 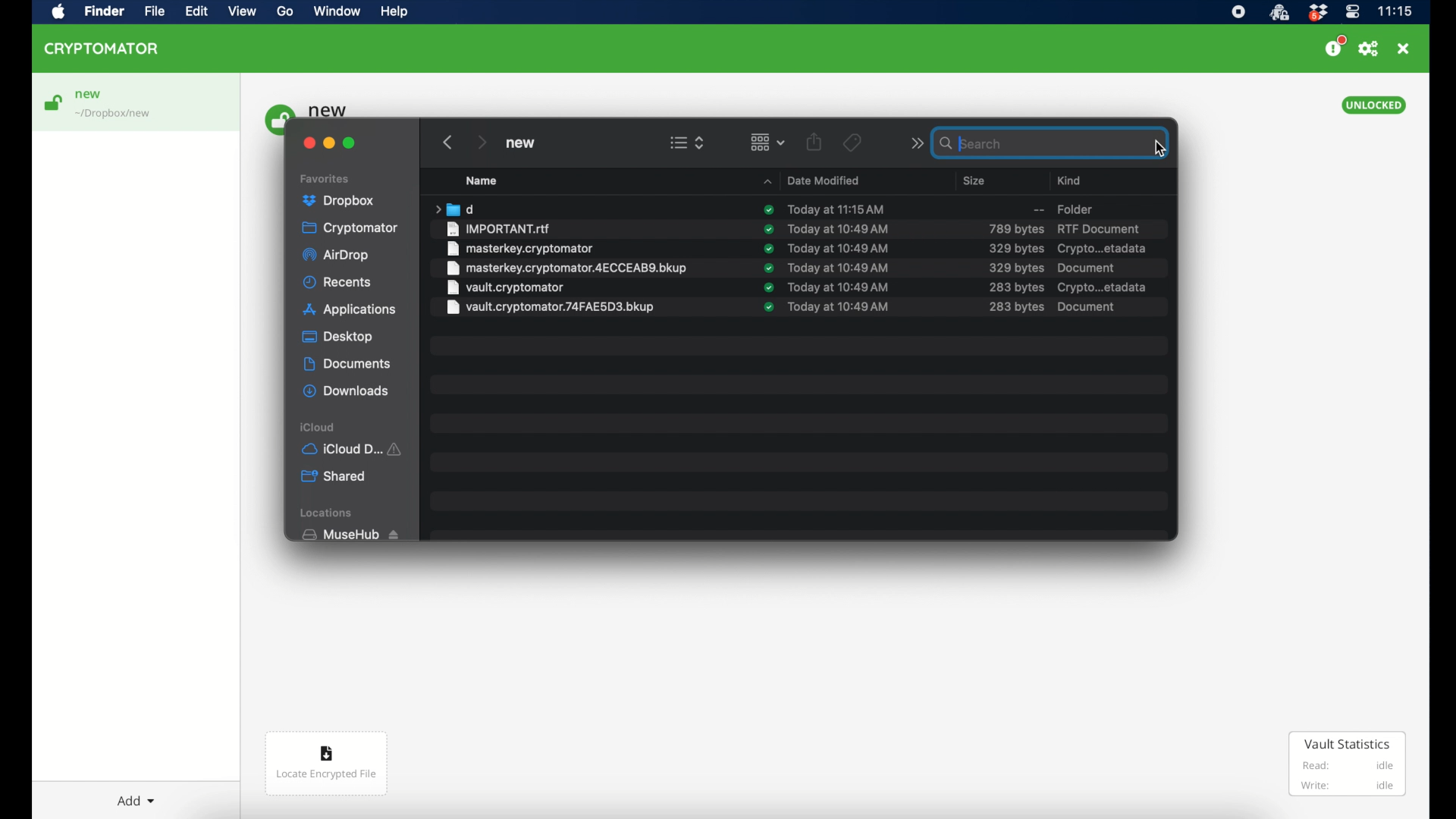 What do you see at coordinates (447, 135) in the screenshot?
I see `previous` at bounding box center [447, 135].